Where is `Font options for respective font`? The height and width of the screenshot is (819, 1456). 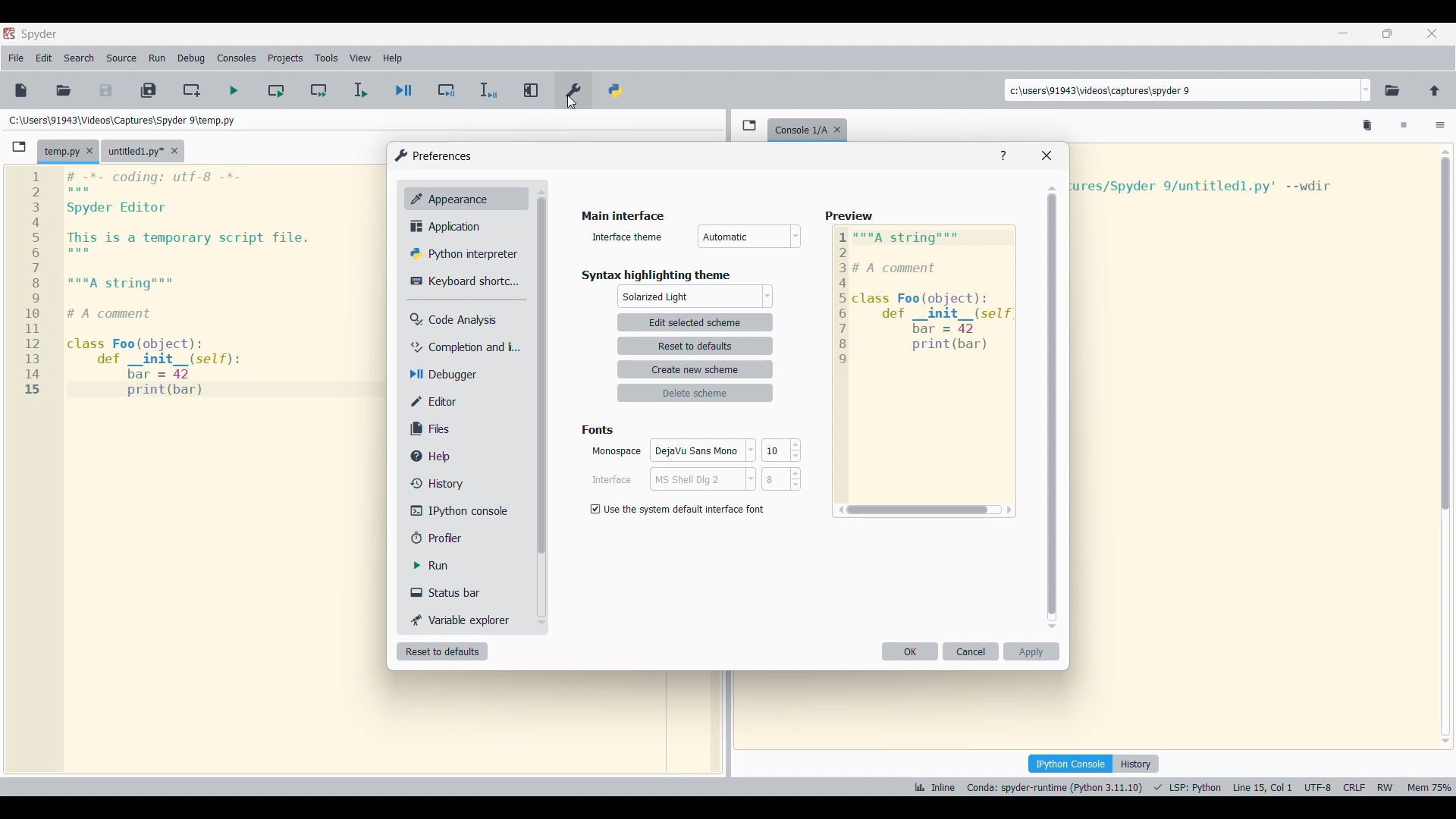
Font options for respective font is located at coordinates (704, 465).